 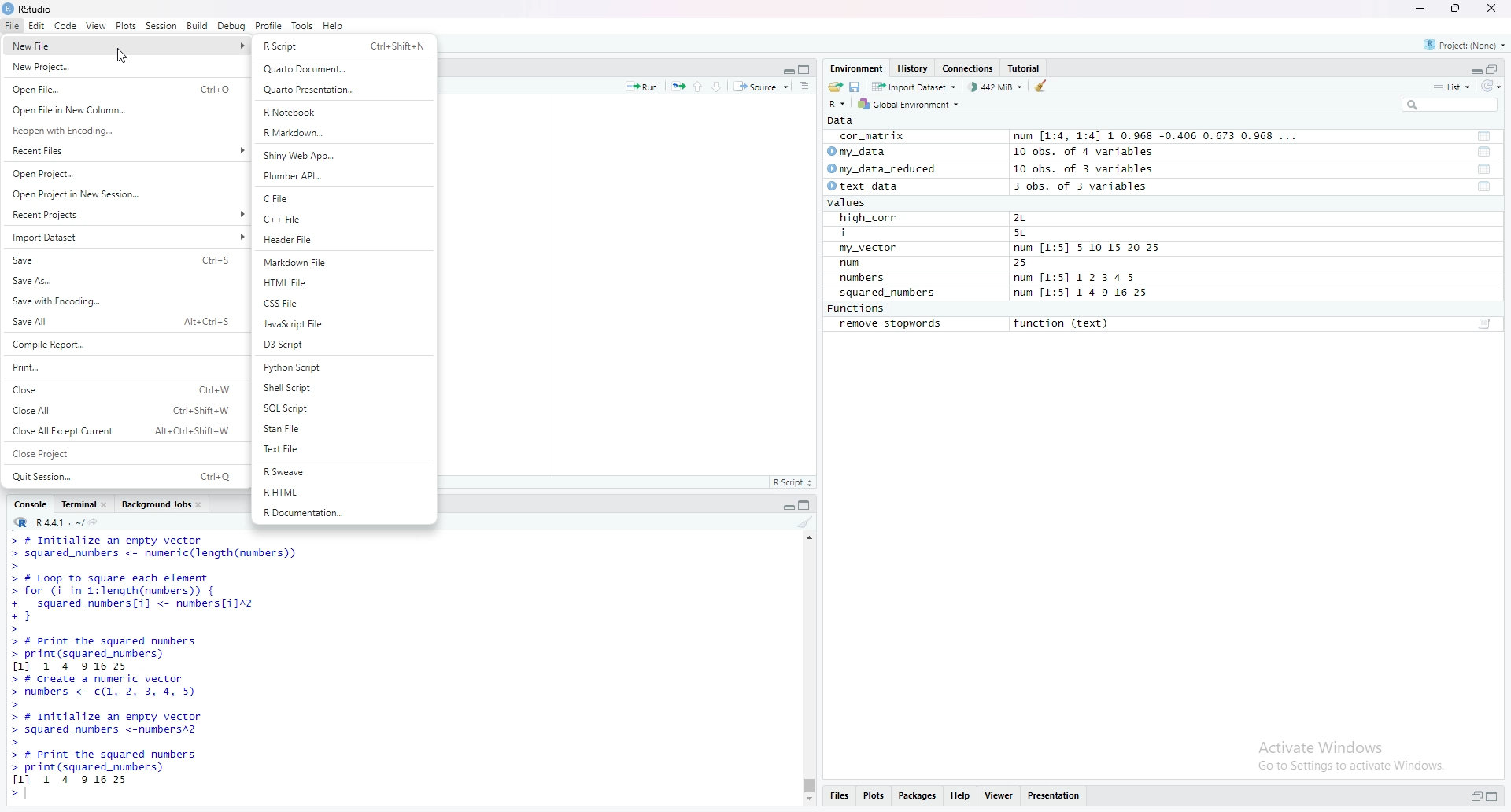 What do you see at coordinates (124, 236) in the screenshot?
I see `Import Dataset` at bounding box center [124, 236].